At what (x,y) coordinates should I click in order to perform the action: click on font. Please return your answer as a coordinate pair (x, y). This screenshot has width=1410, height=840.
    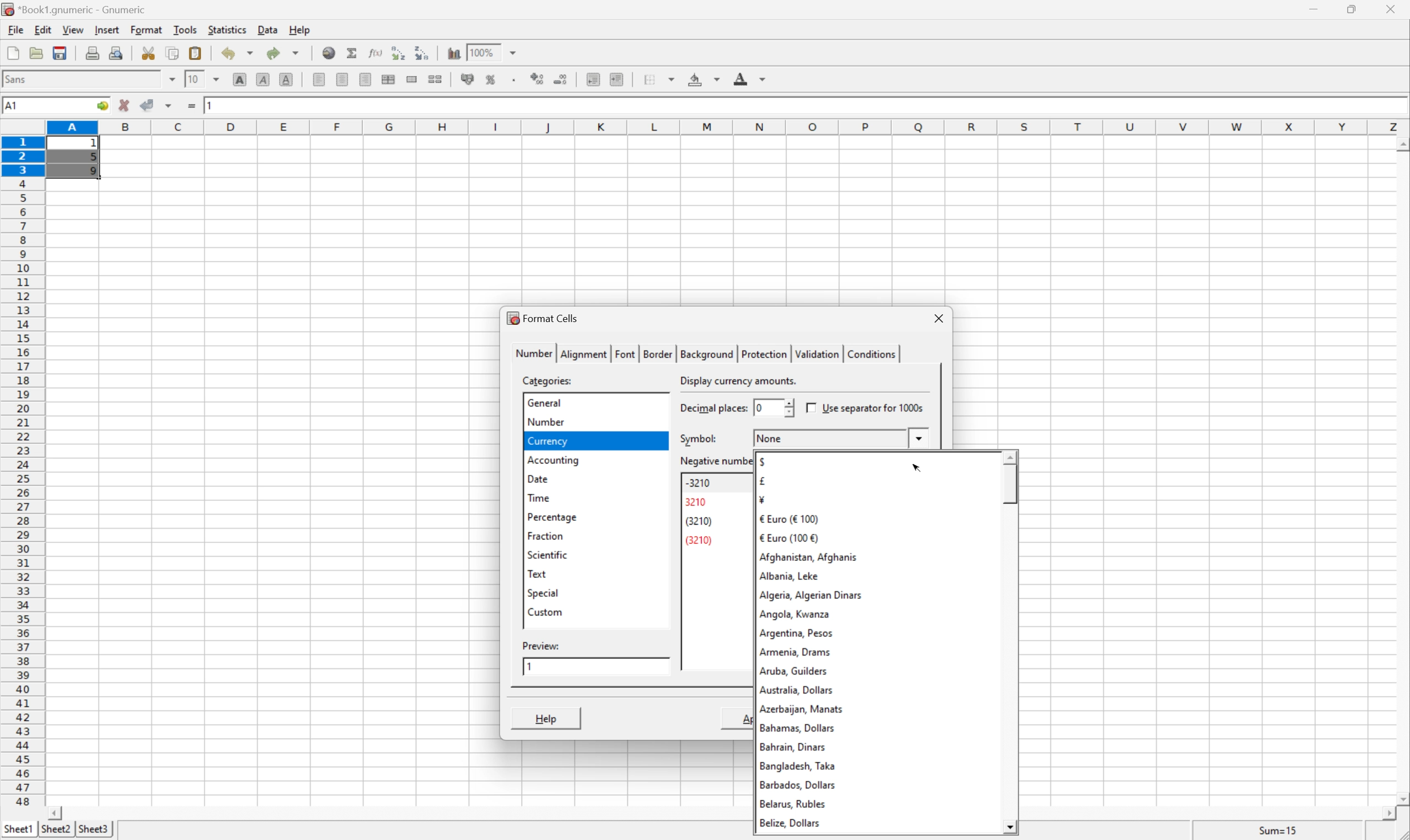
    Looking at the image, I should click on (22, 78).